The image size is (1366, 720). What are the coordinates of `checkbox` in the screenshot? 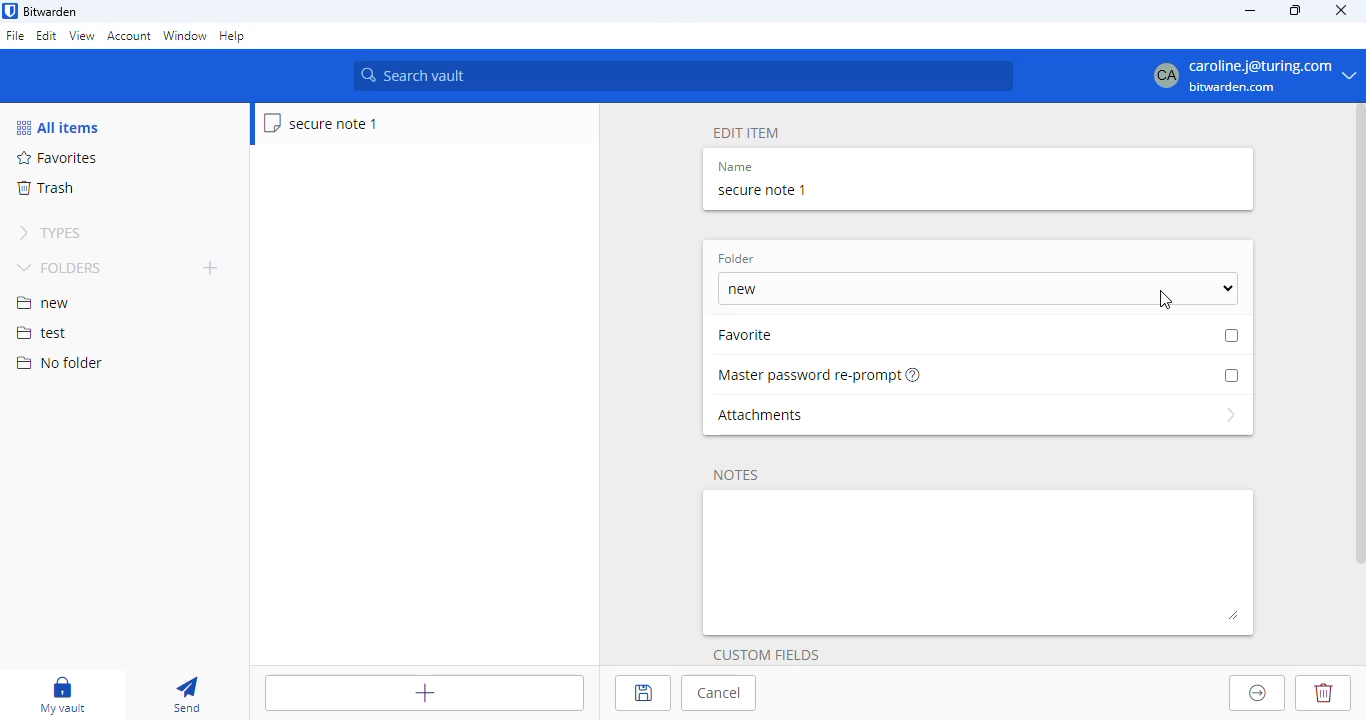 It's located at (1231, 375).